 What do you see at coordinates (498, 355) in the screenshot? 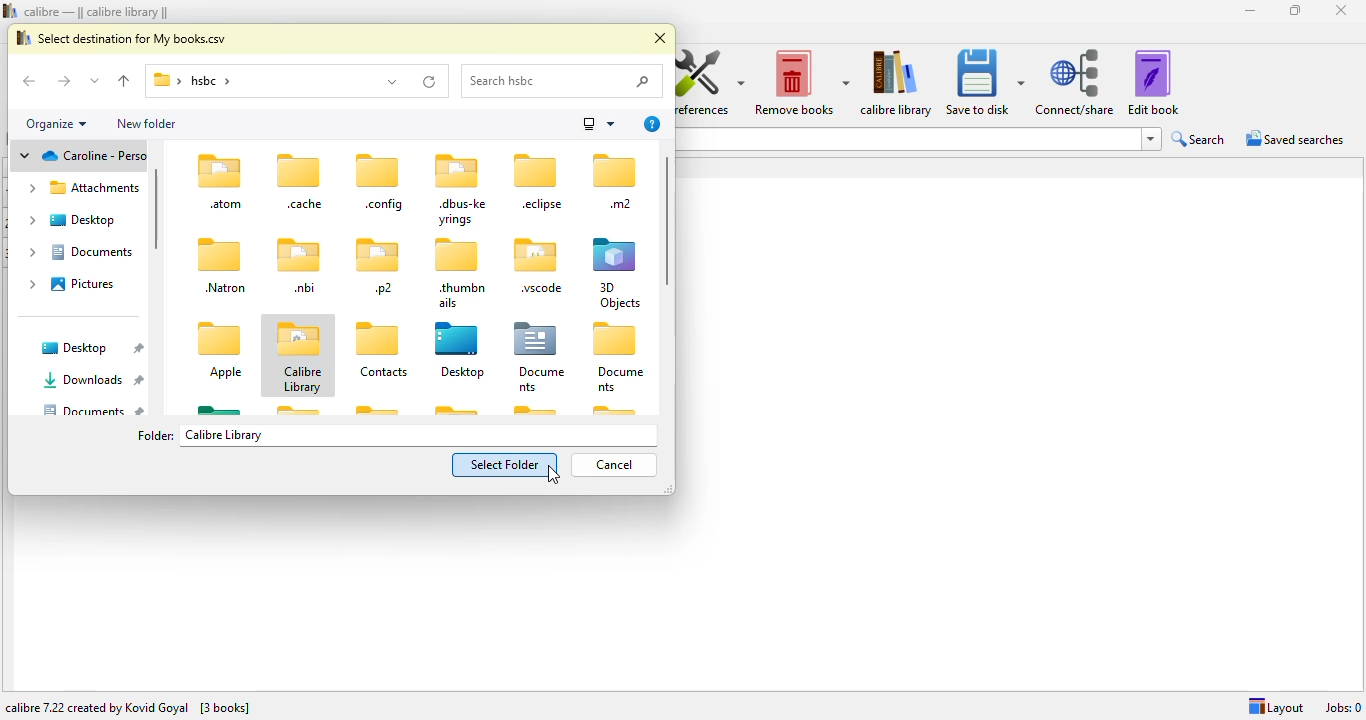
I see `folders` at bounding box center [498, 355].